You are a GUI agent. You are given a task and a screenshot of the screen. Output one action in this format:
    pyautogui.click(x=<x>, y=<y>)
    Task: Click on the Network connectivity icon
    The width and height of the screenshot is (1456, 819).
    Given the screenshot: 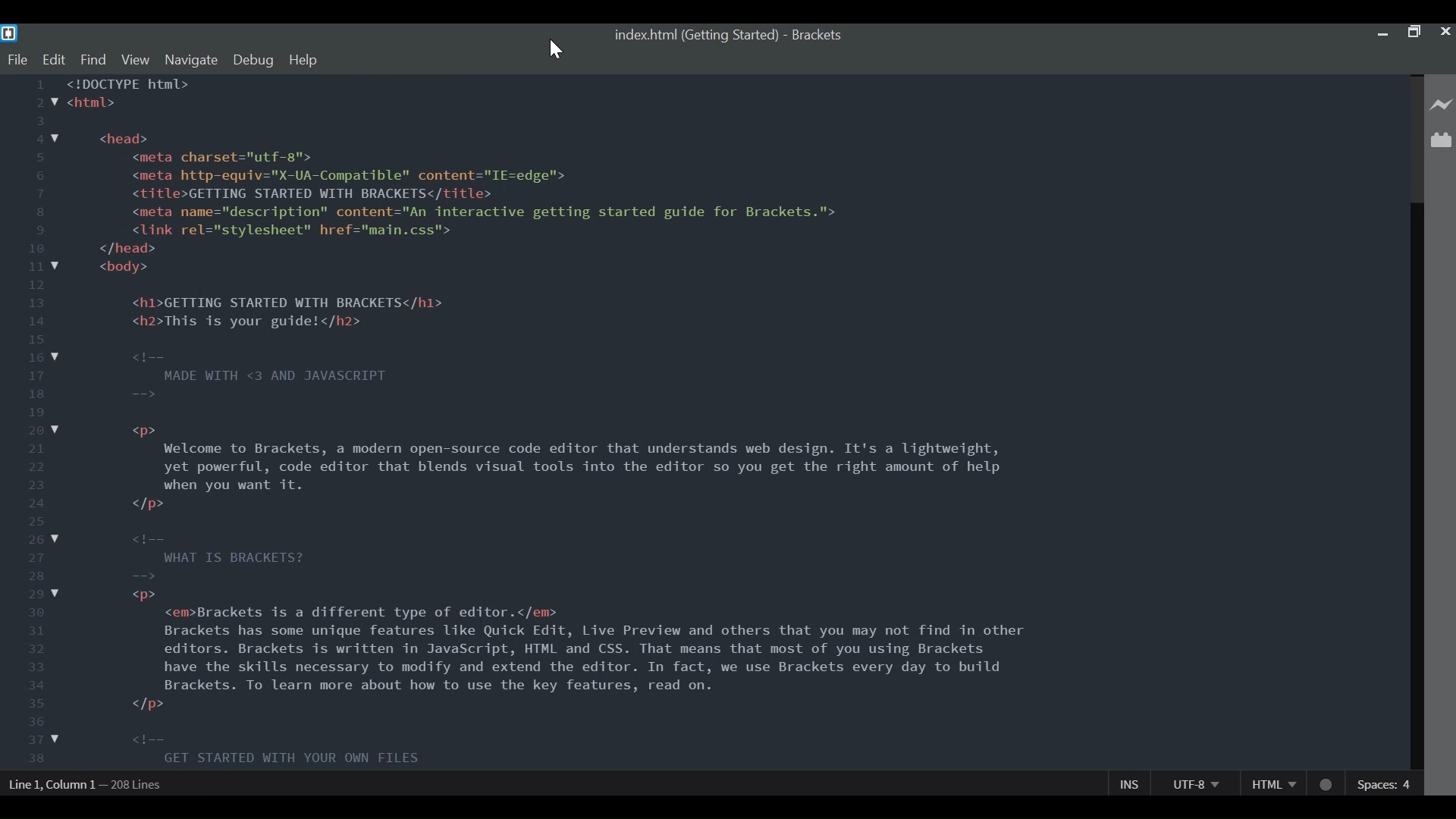 What is the action you would take?
    pyautogui.click(x=1325, y=782)
    